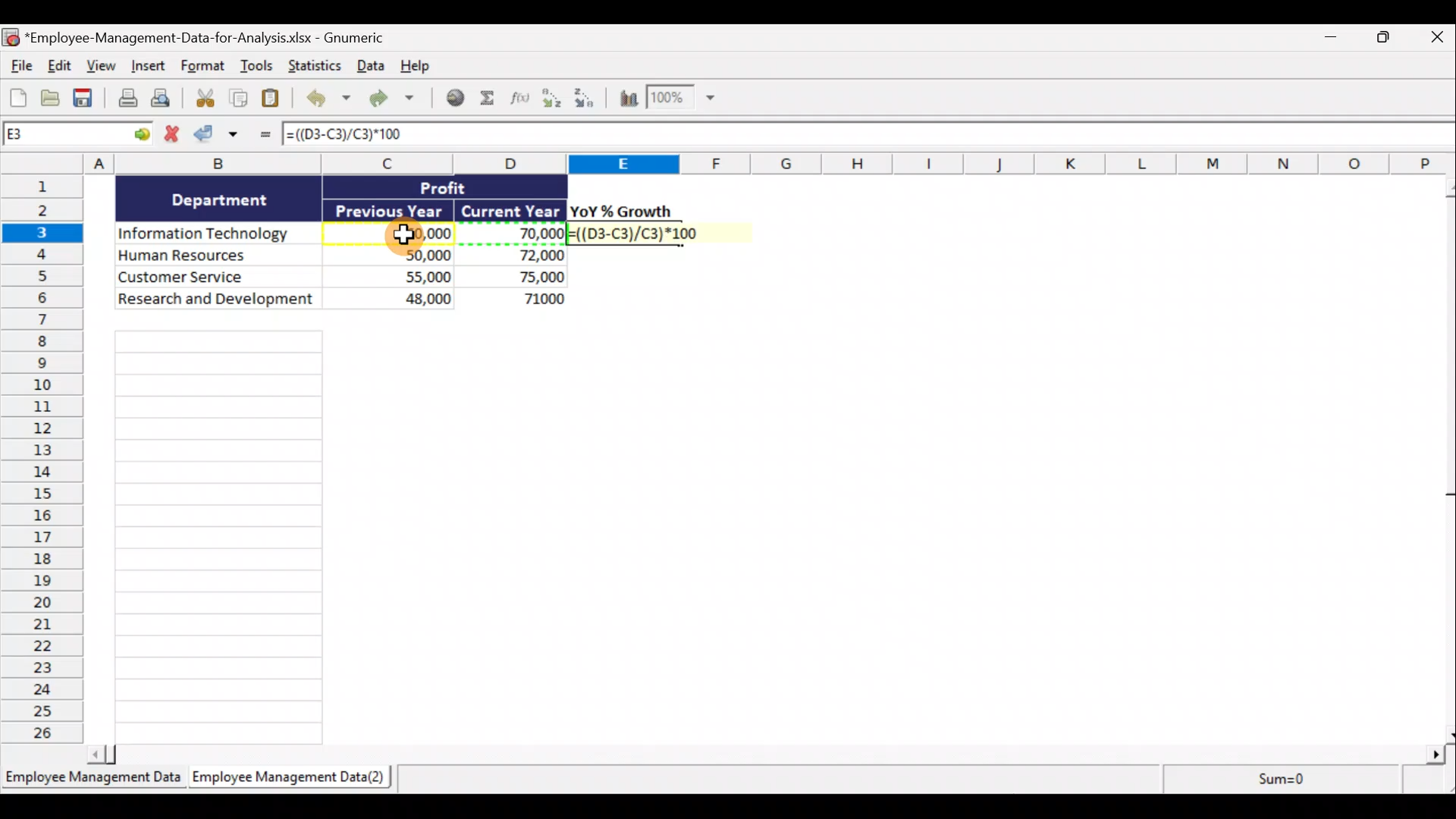 The height and width of the screenshot is (819, 1456). Describe the element at coordinates (204, 67) in the screenshot. I see `Format` at that location.